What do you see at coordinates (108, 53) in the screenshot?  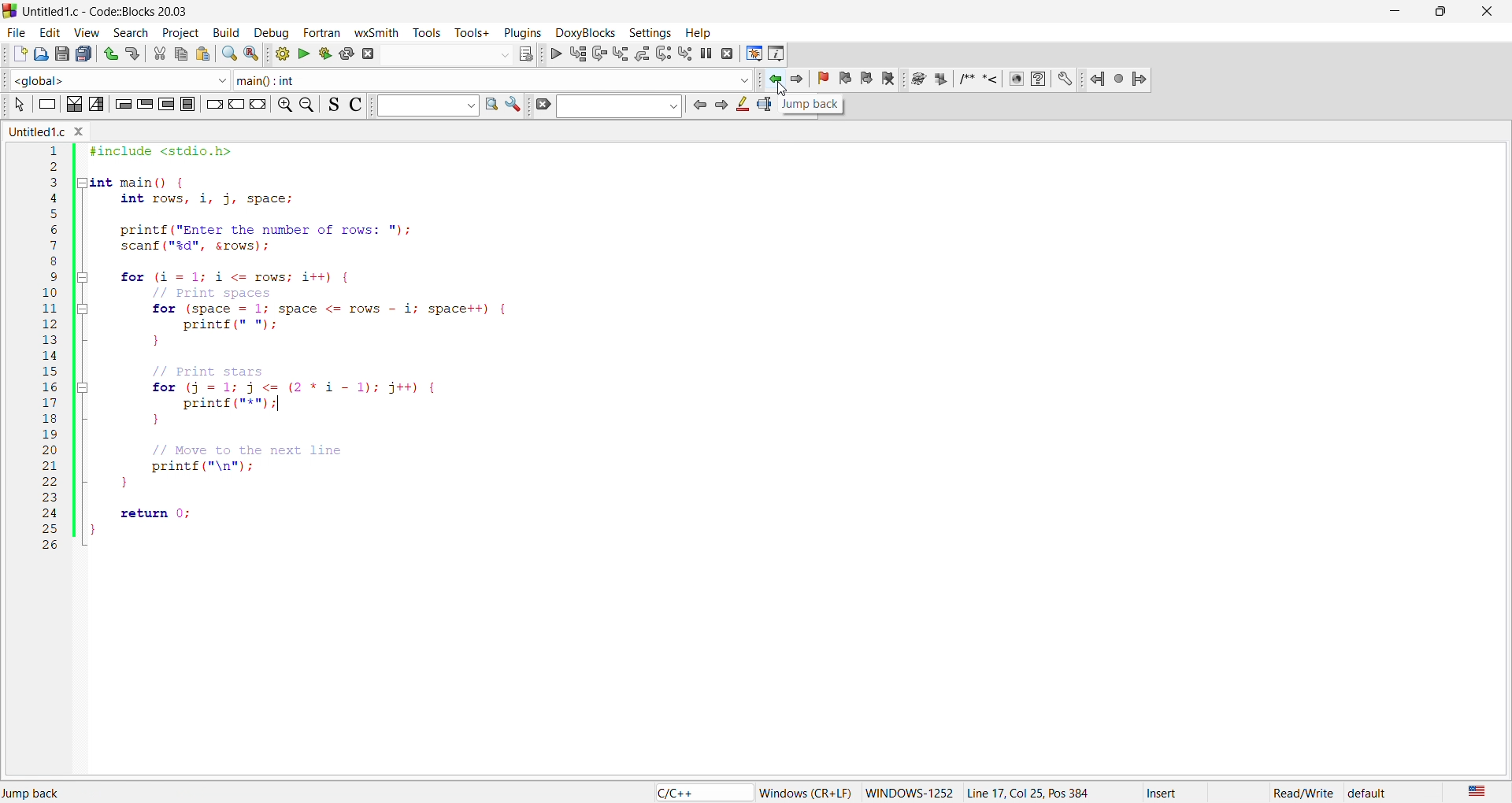 I see `undo` at bounding box center [108, 53].